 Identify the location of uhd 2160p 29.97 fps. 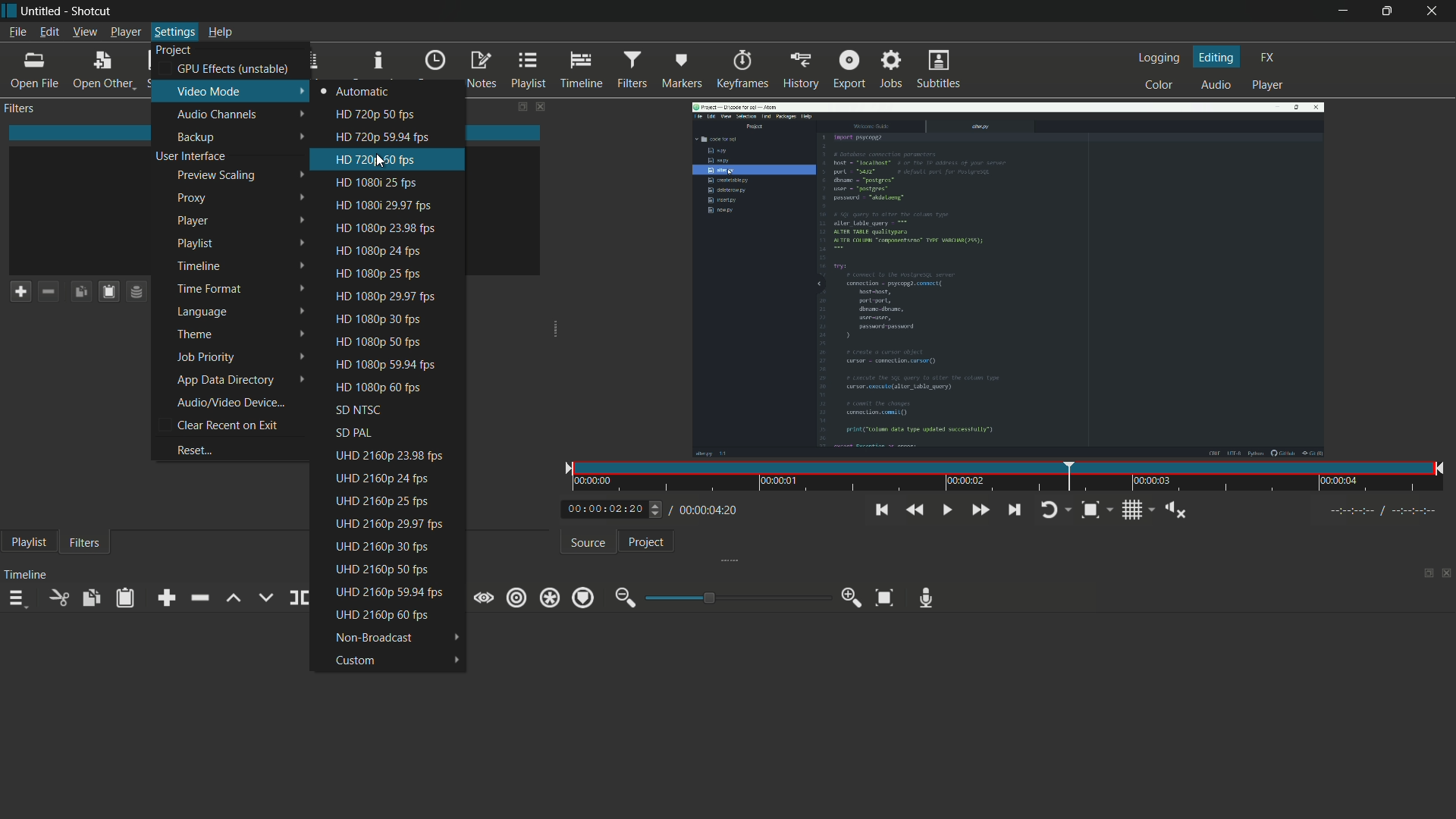
(390, 525).